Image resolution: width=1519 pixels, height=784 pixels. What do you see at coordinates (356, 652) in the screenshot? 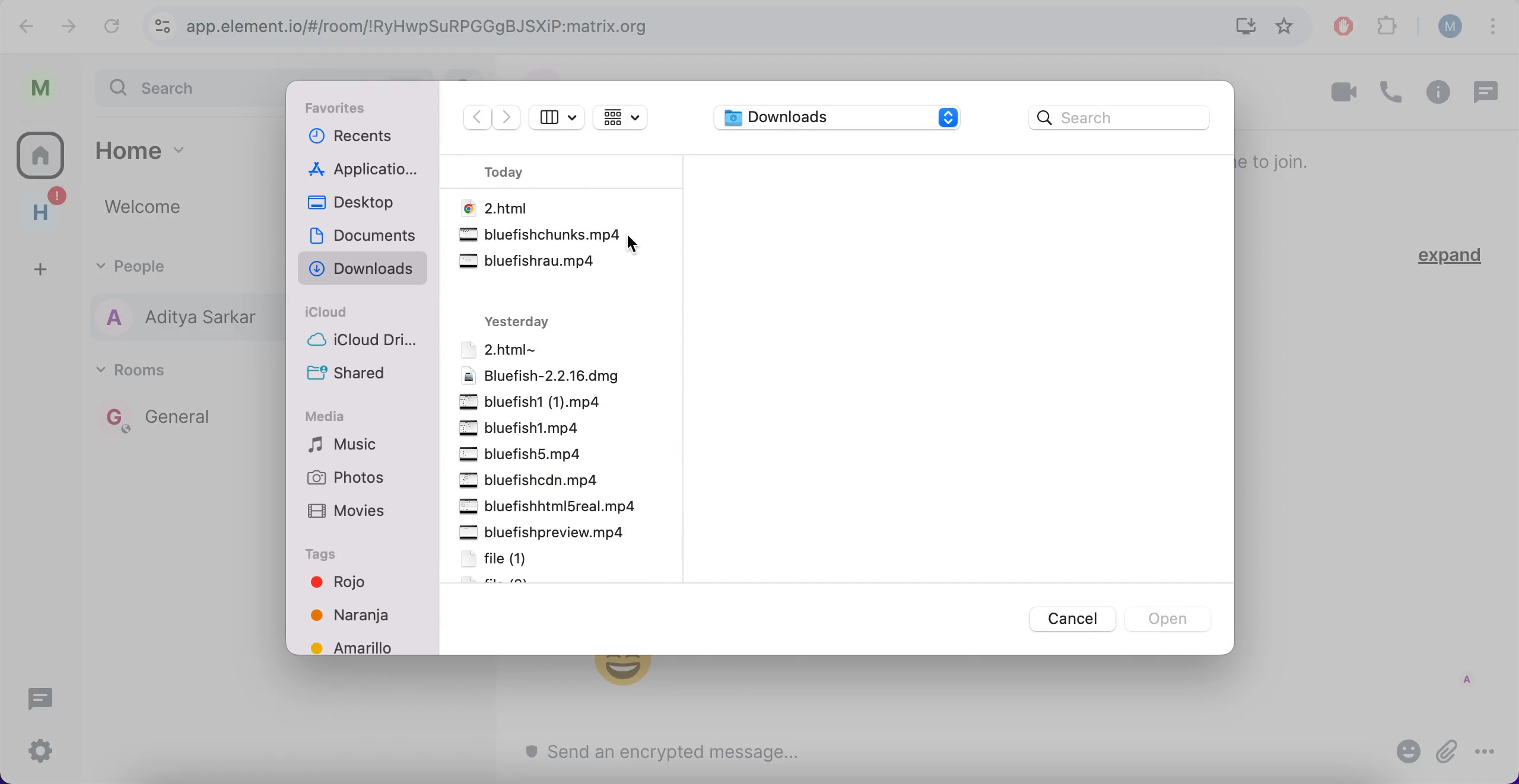
I see `amarillo` at bounding box center [356, 652].